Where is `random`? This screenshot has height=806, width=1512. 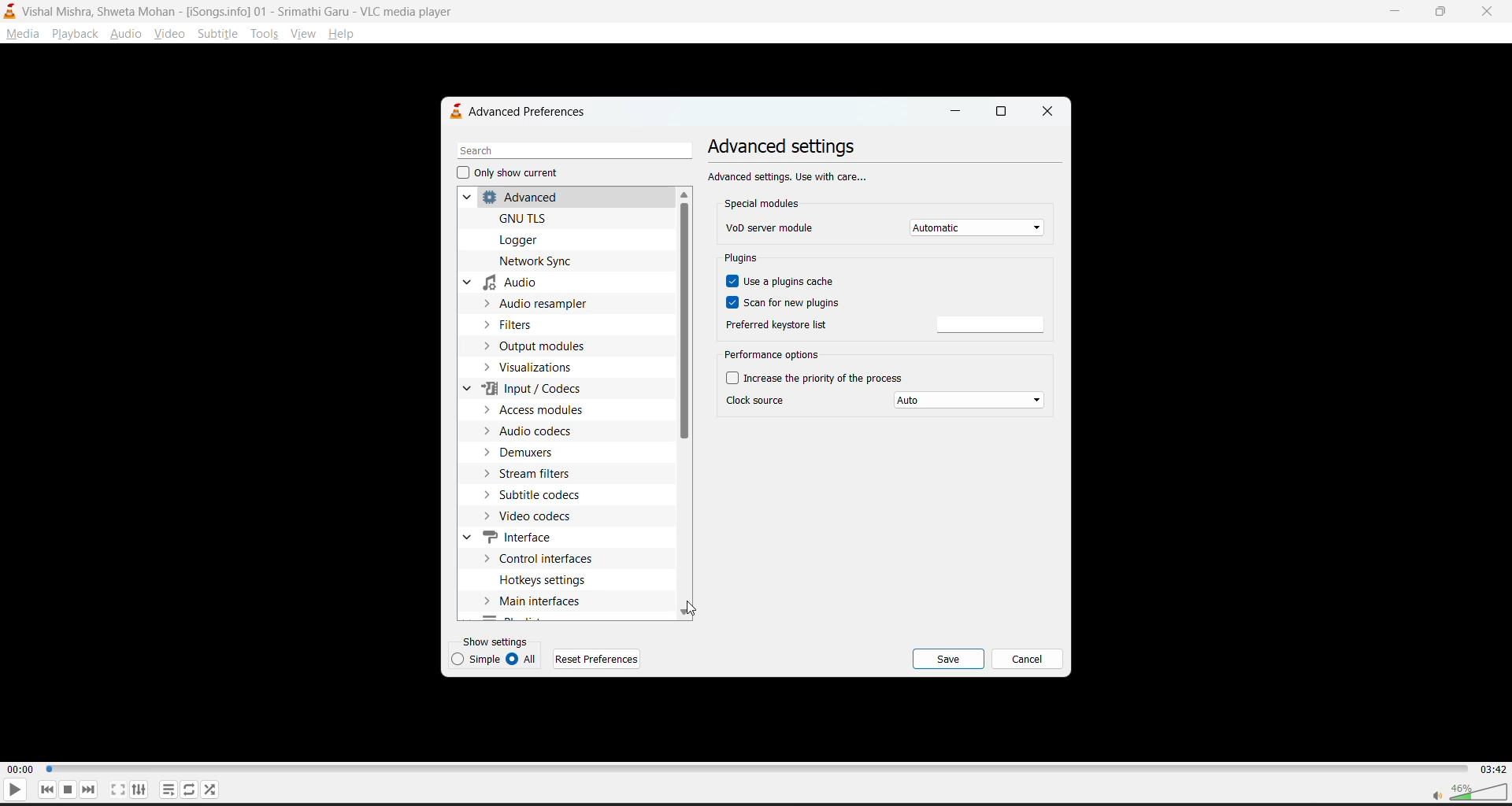 random is located at coordinates (209, 787).